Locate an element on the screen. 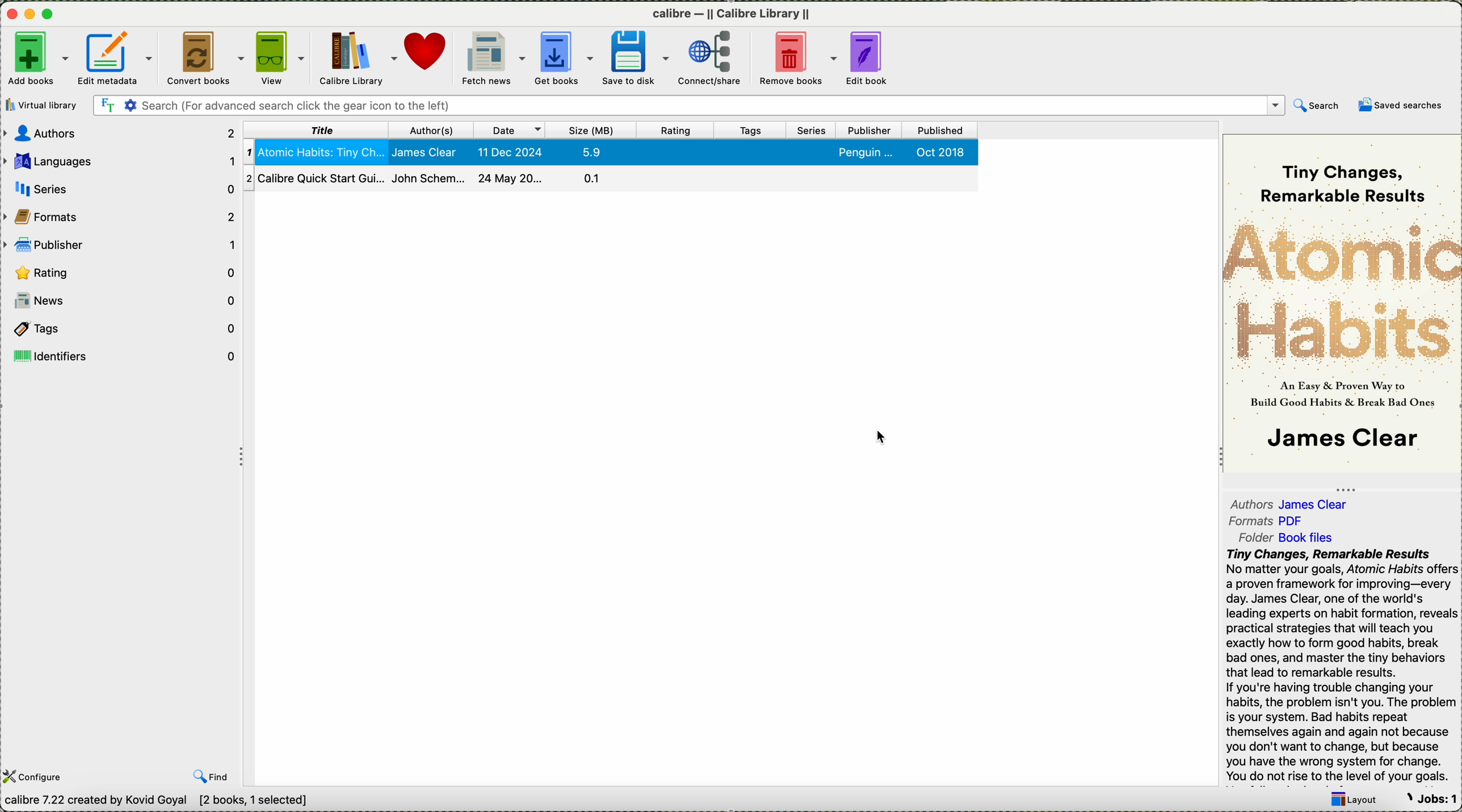 The image size is (1462, 812). languages is located at coordinates (120, 161).